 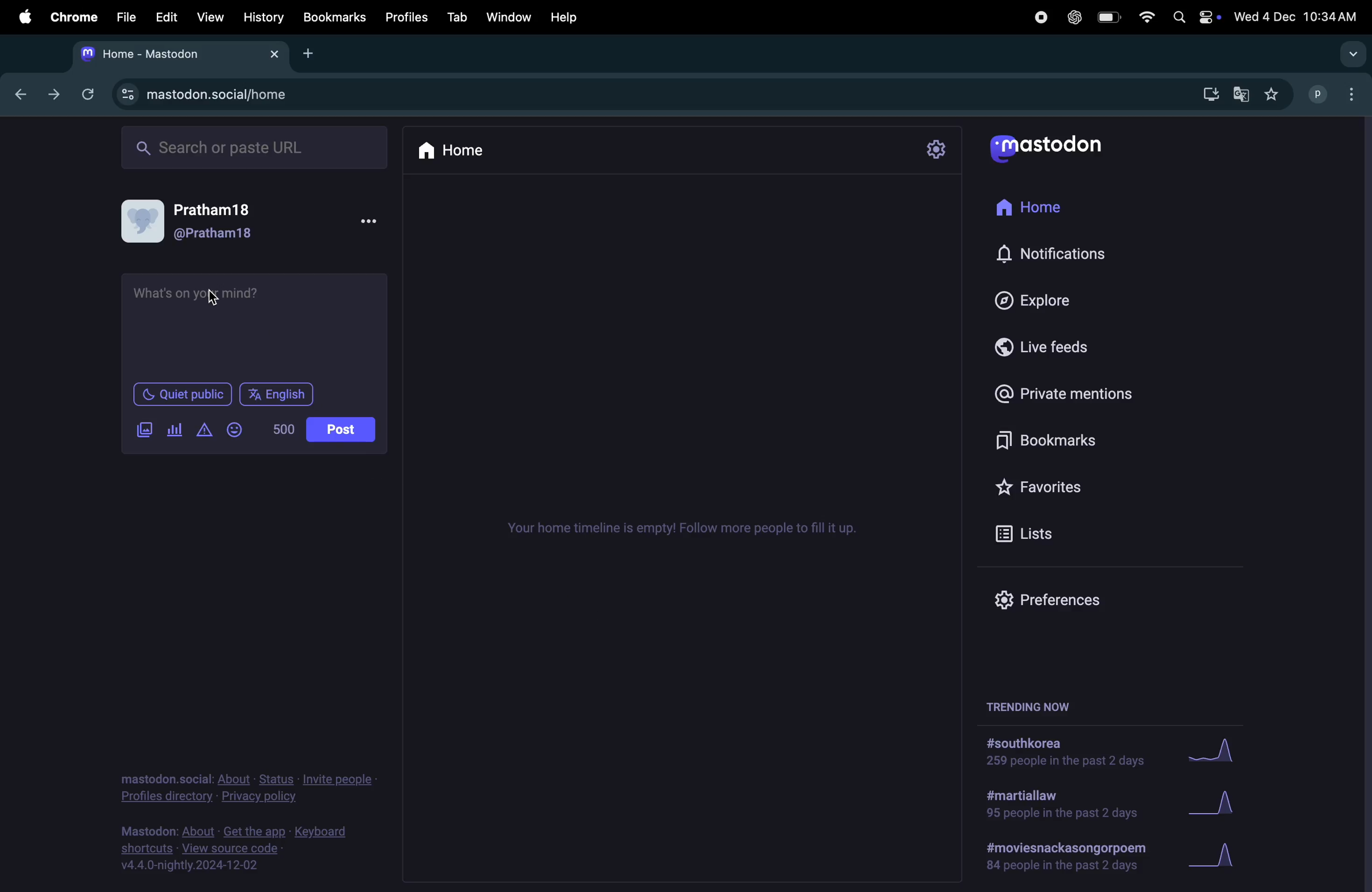 What do you see at coordinates (1057, 806) in the screenshot?
I see `Martial Law` at bounding box center [1057, 806].